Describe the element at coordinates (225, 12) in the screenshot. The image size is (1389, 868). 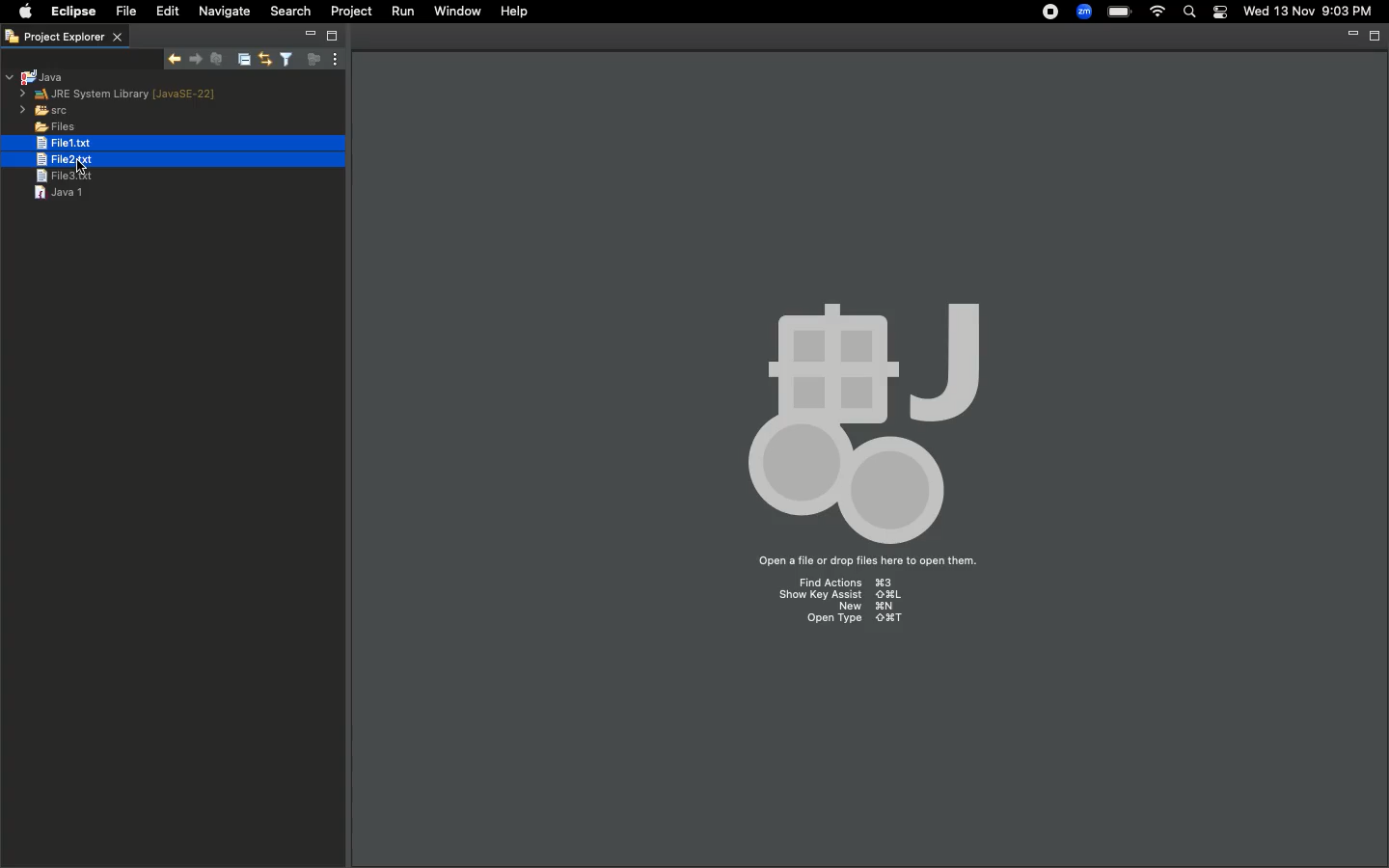
I see `Navigate` at that location.